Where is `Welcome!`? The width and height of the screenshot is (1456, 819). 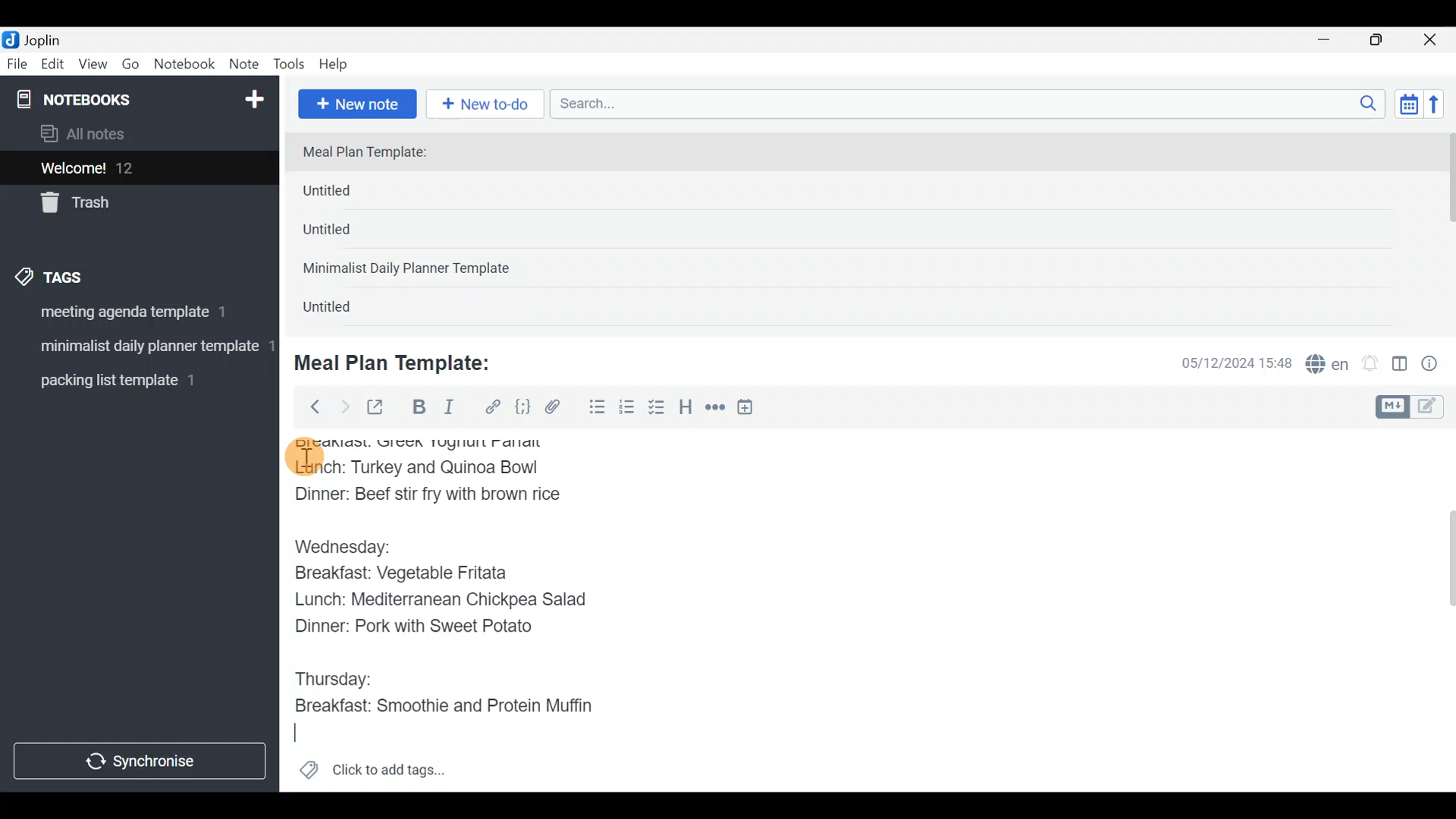
Welcome! is located at coordinates (137, 169).